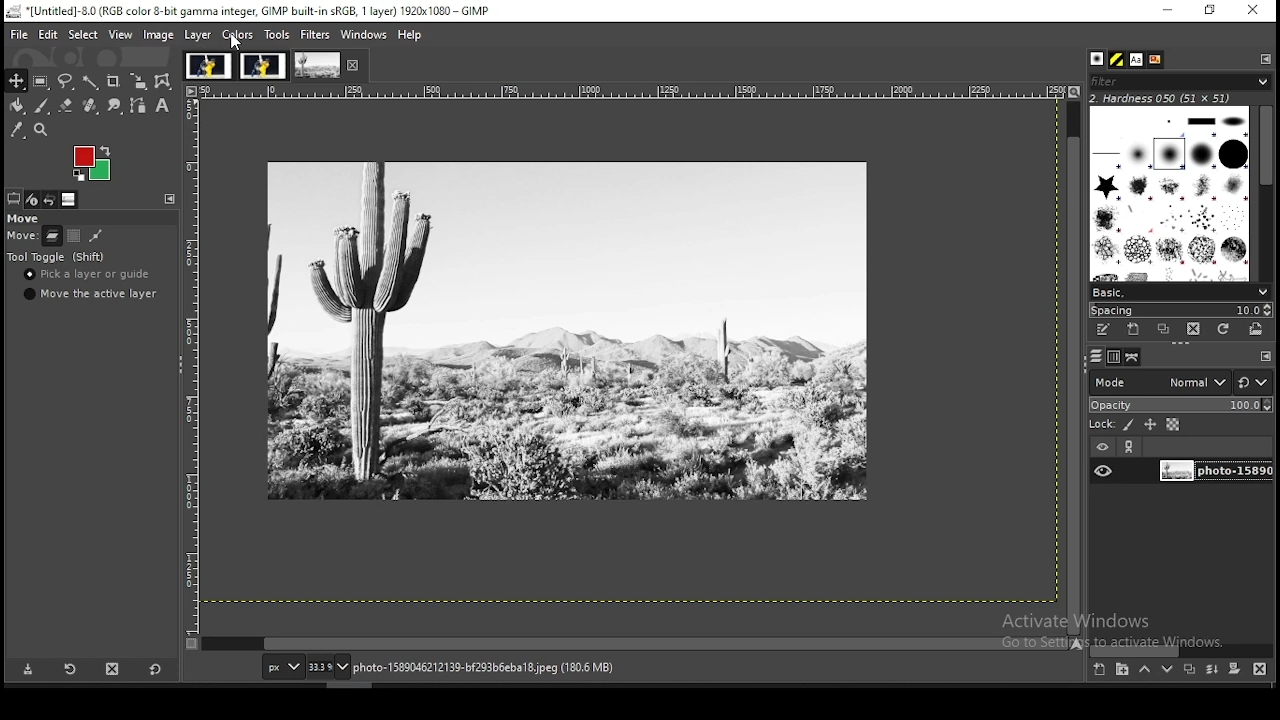 This screenshot has width=1280, height=720. I want to click on move layer one step up, so click(1144, 669).